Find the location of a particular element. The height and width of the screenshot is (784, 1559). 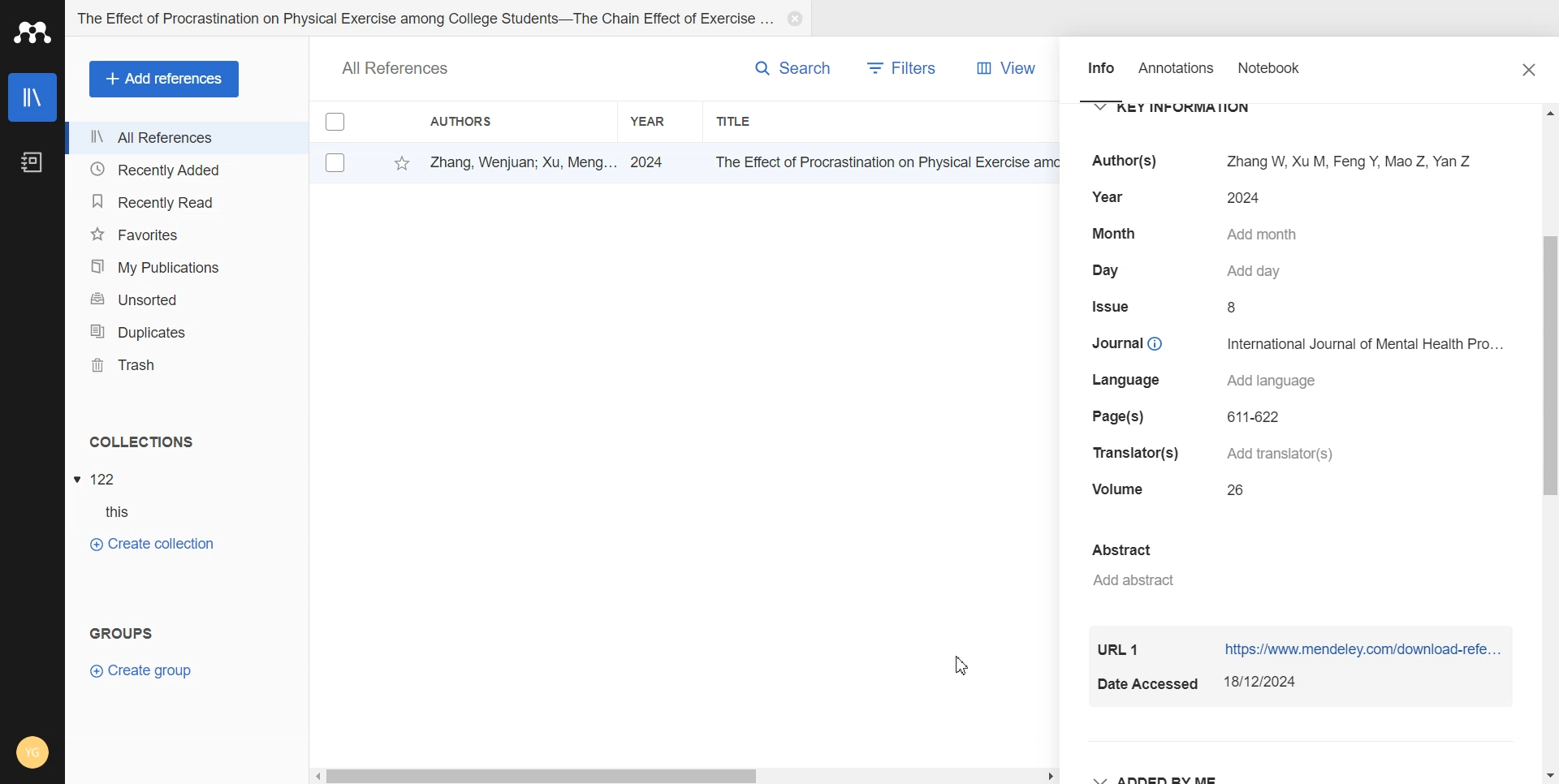

Down is located at coordinates (1548, 770).